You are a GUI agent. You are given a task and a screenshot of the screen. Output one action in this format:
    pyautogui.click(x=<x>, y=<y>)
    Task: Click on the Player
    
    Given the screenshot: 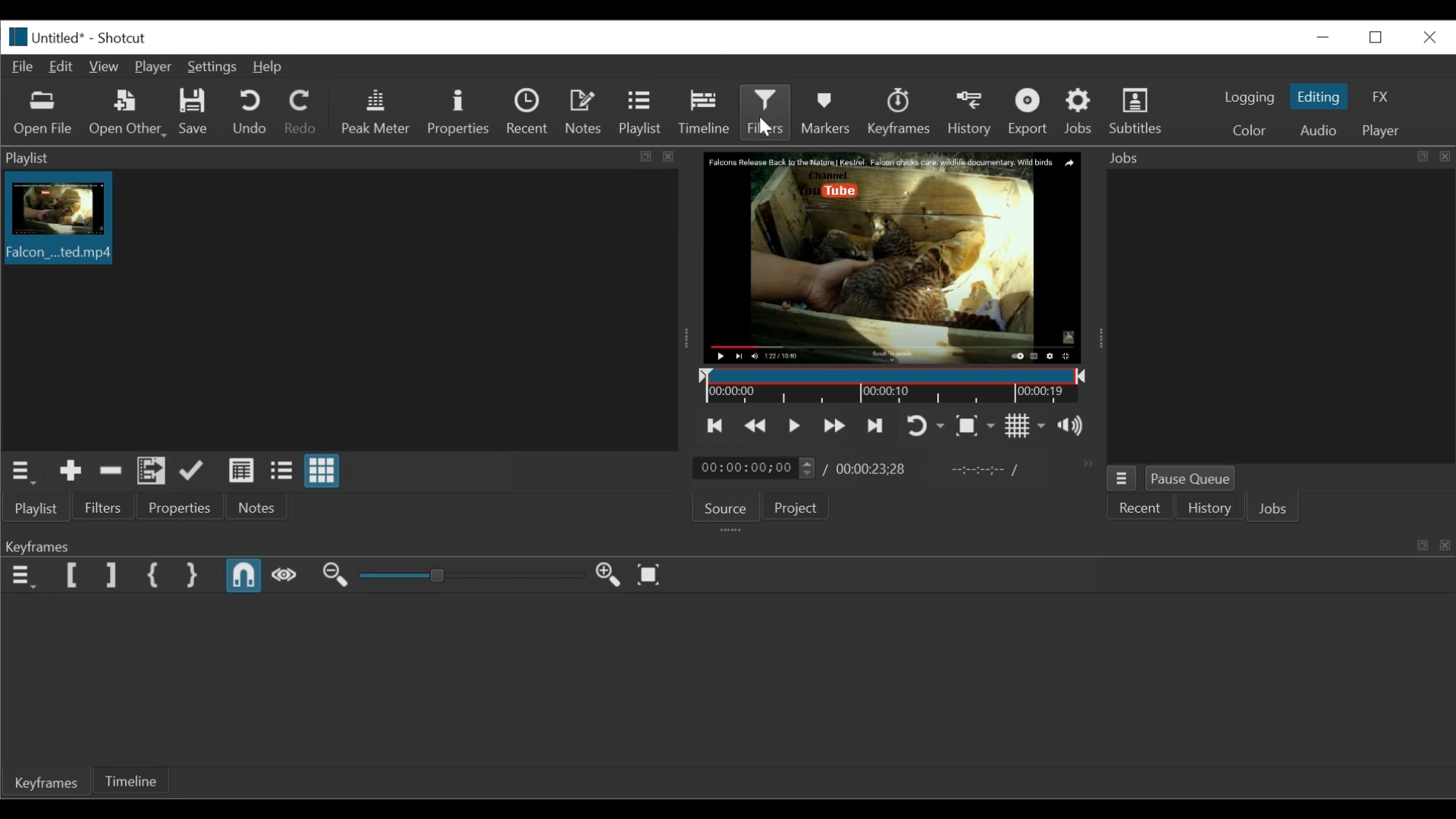 What is the action you would take?
    pyautogui.click(x=153, y=67)
    